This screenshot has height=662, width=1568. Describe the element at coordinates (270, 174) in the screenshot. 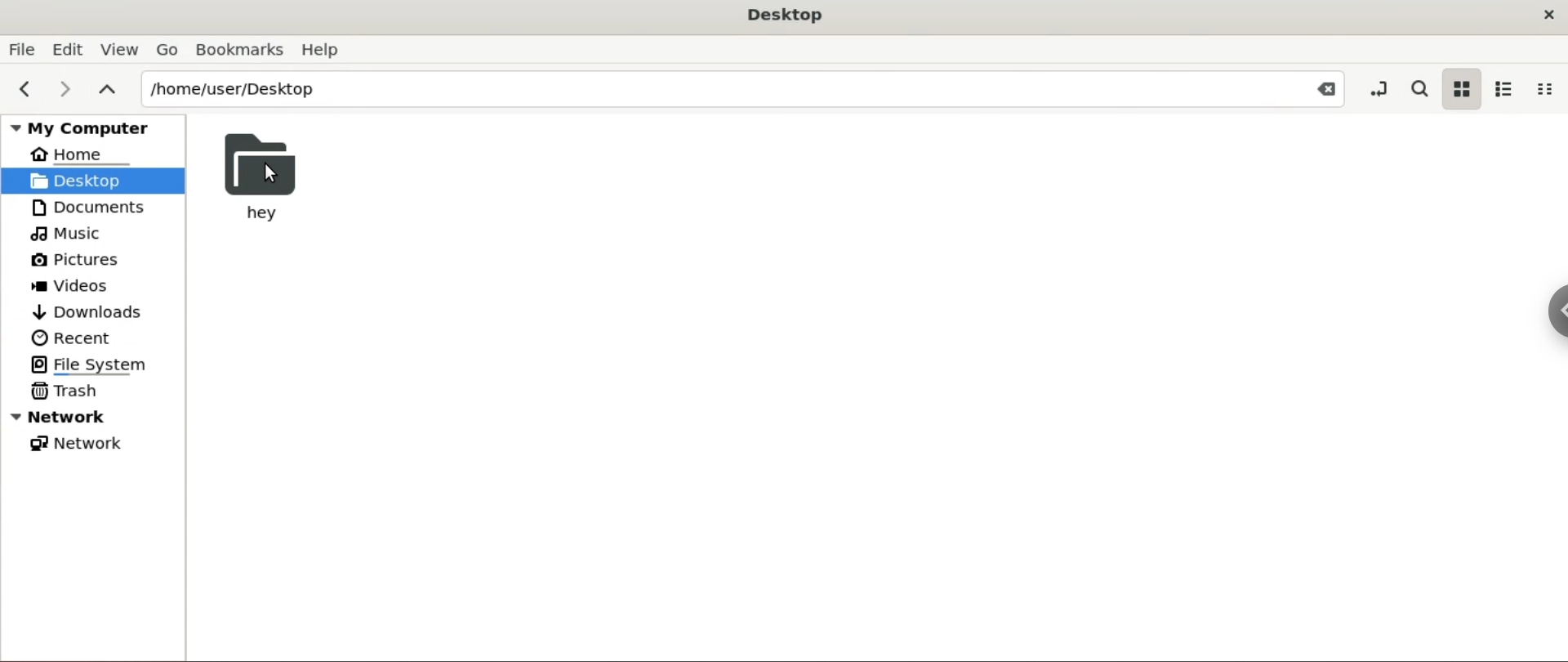

I see `Cursor` at that location.